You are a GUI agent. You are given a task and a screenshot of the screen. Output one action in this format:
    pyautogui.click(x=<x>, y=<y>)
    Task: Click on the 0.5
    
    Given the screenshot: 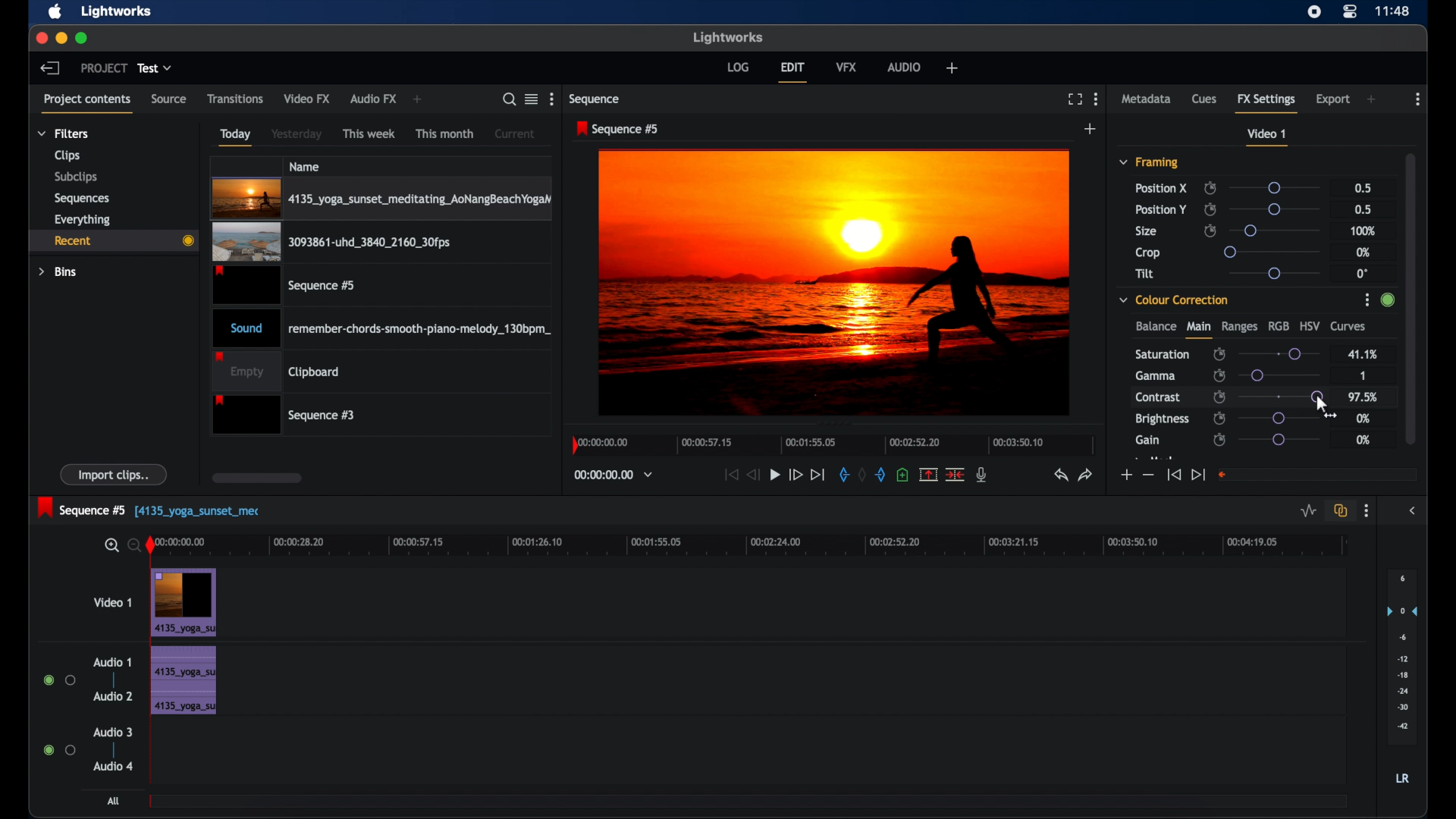 What is the action you would take?
    pyautogui.click(x=1361, y=187)
    